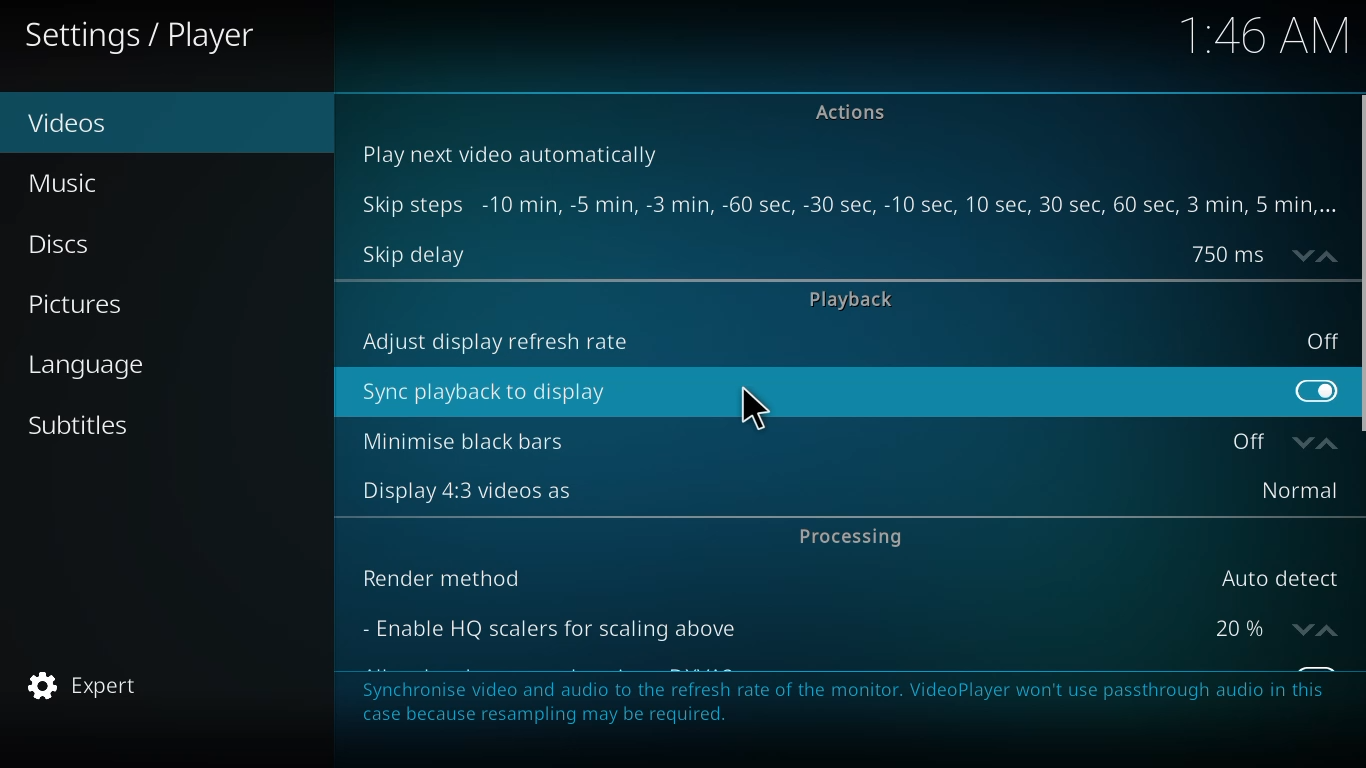  I want to click on play next video automatically, so click(512, 155).